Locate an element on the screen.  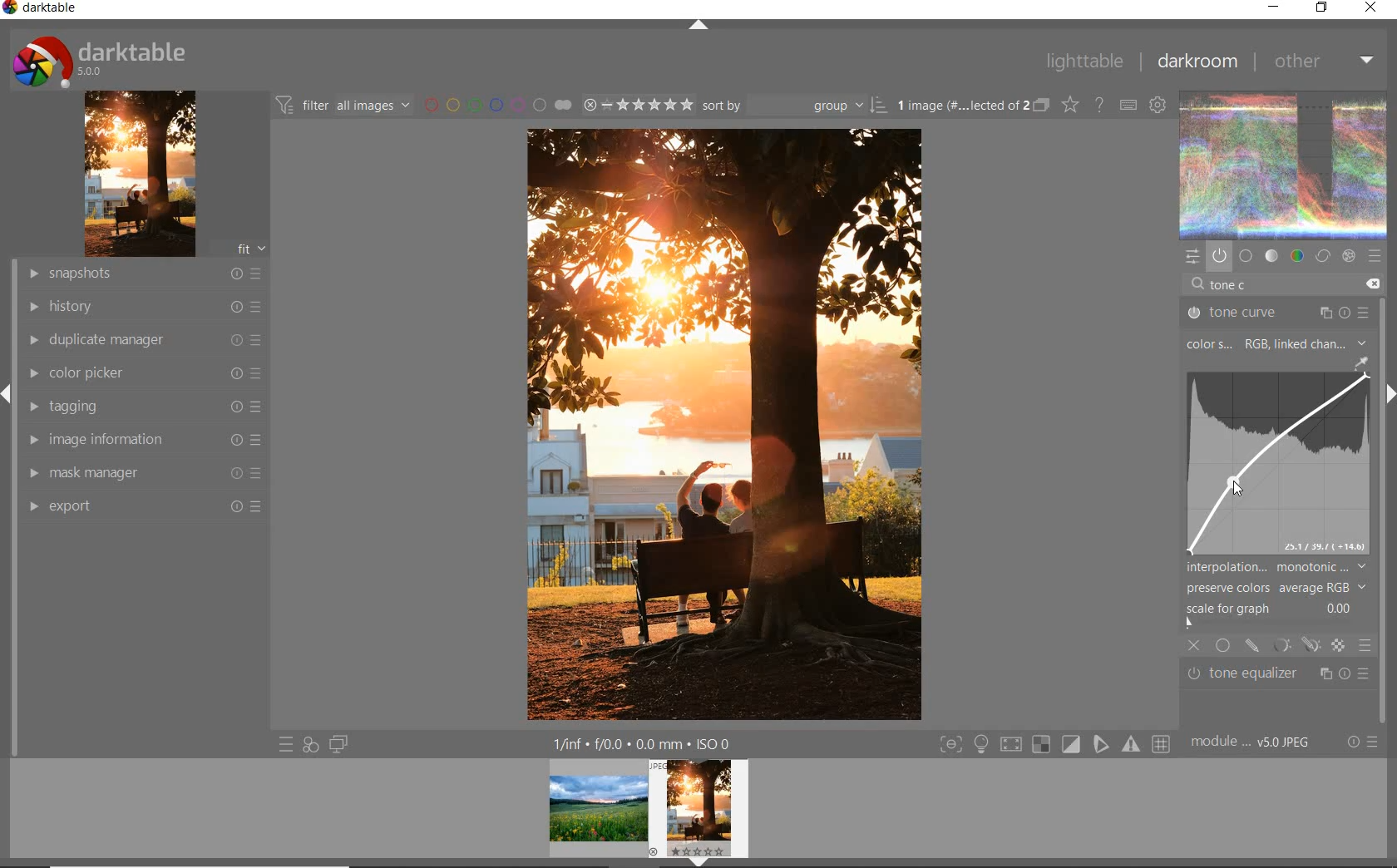
1/fnf f/0.0 0.0 mm ISO 0 is located at coordinates (645, 742).